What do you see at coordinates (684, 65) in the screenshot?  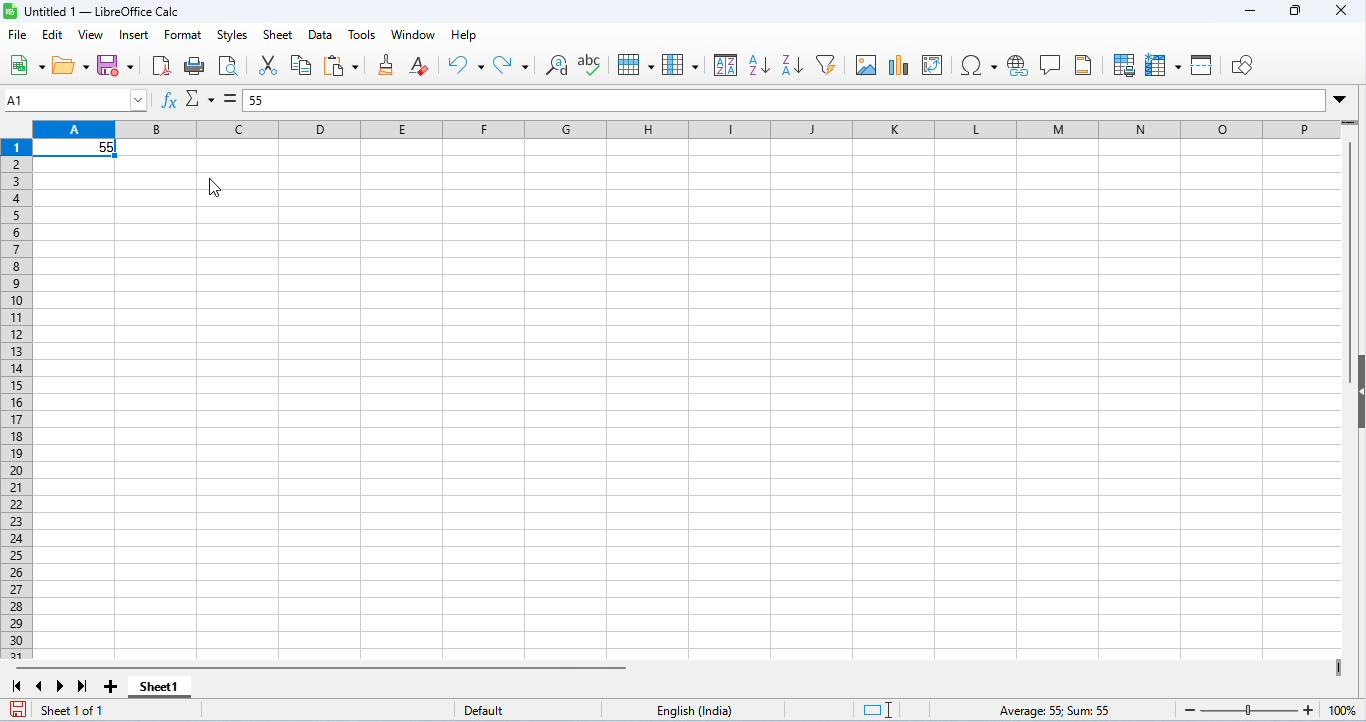 I see `column` at bounding box center [684, 65].